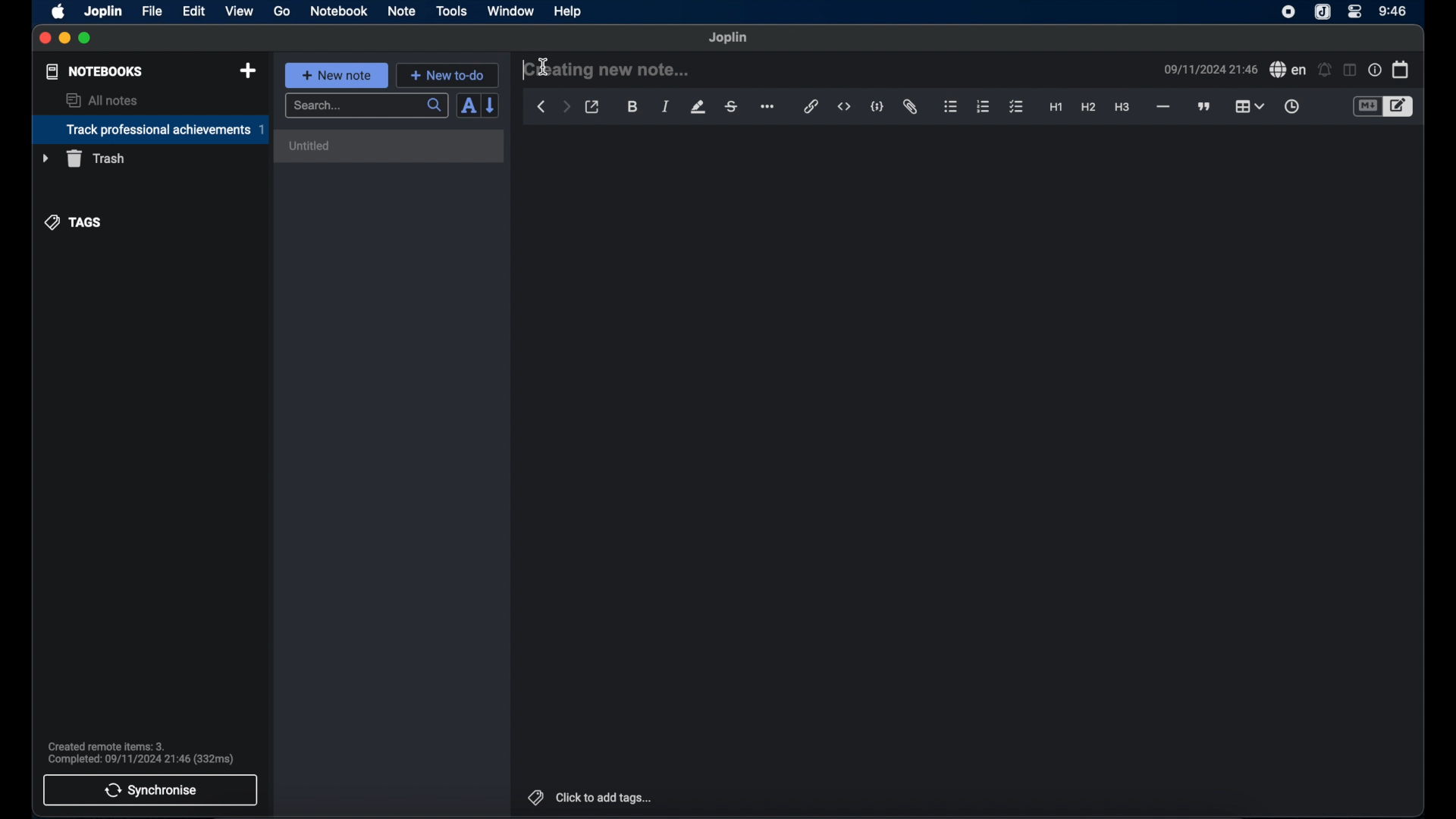  I want to click on new notebook, so click(248, 71).